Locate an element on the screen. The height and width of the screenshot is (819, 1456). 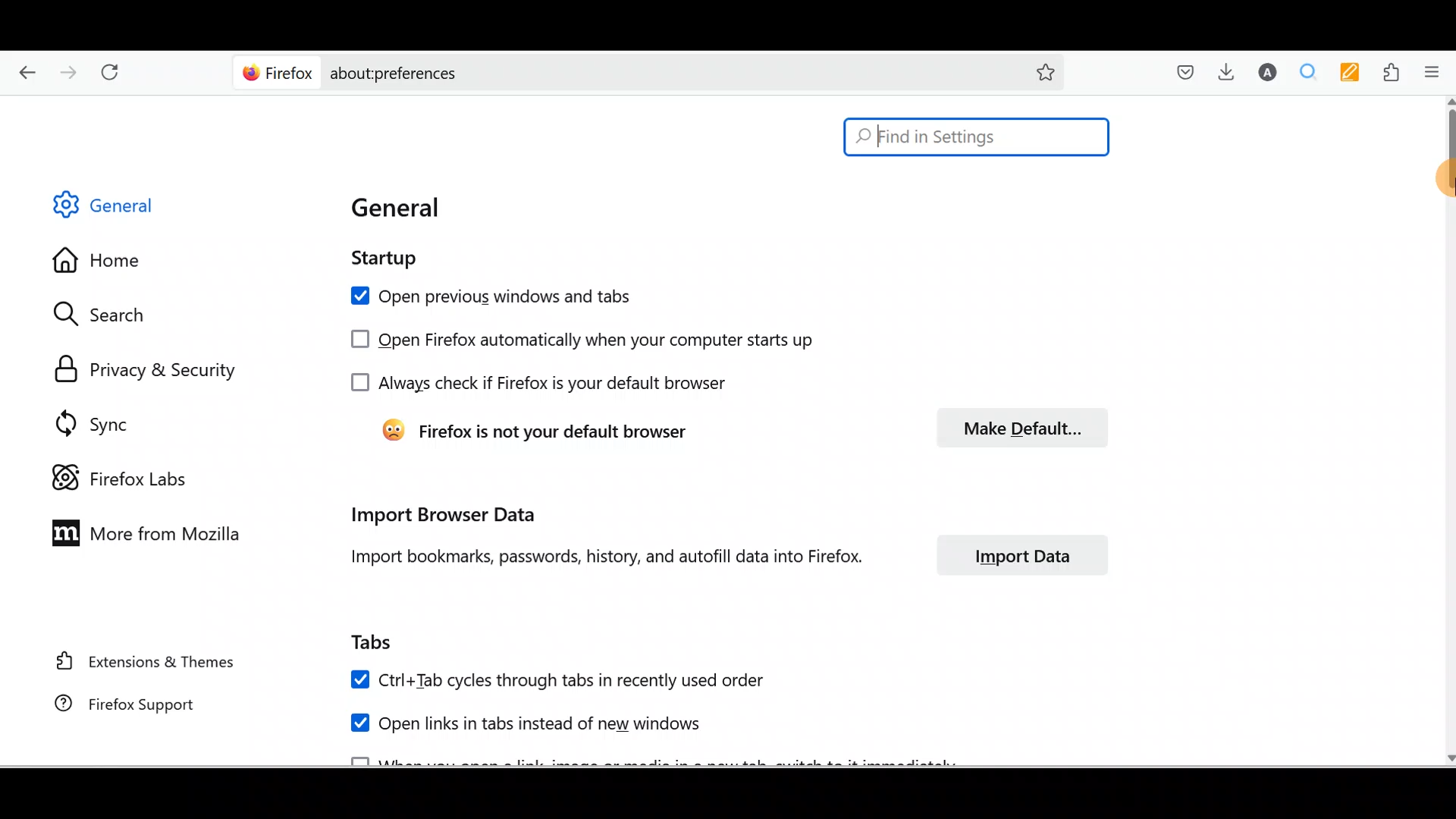
scroll up is located at coordinates (1447, 101).